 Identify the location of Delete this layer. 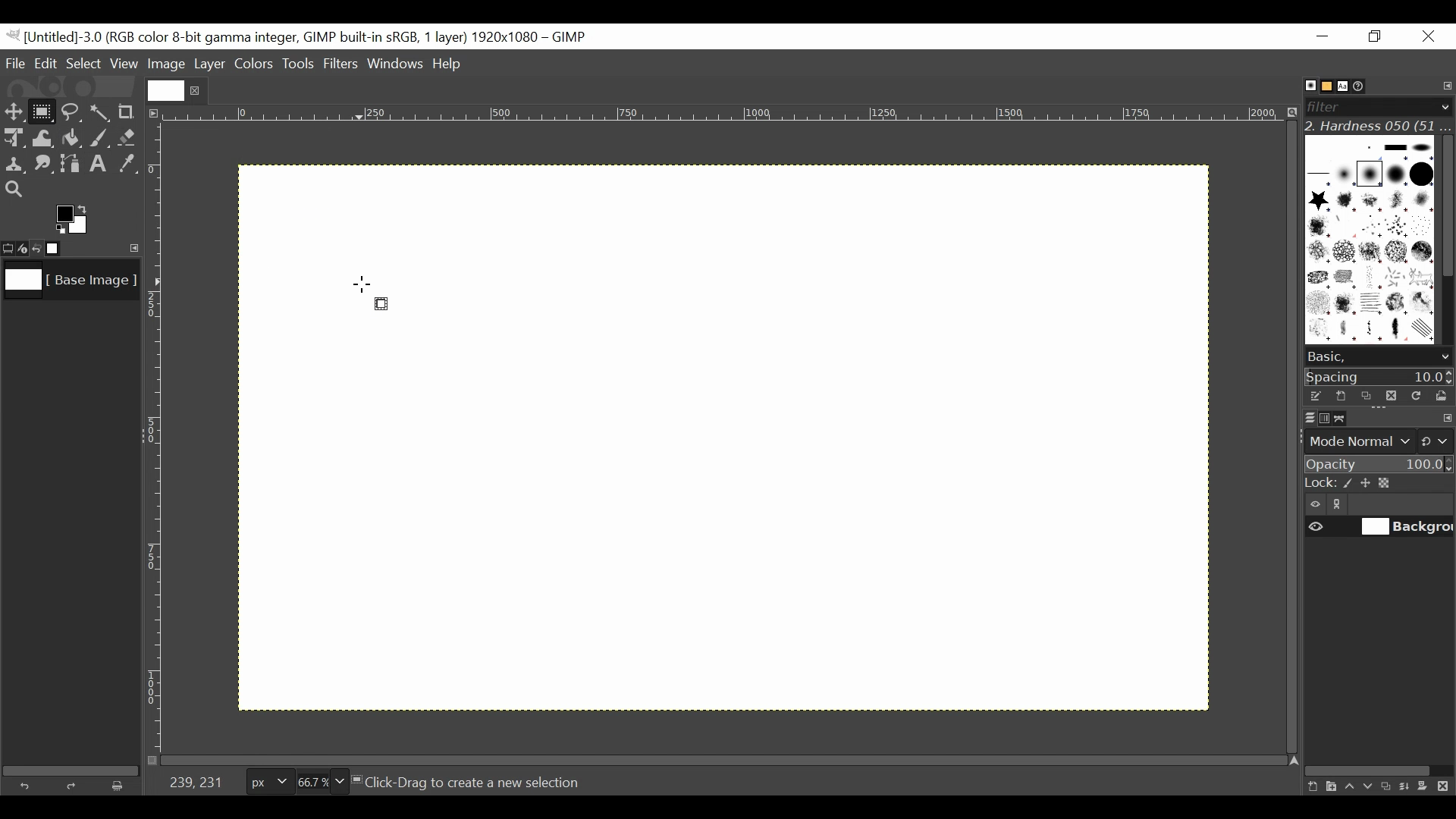
(1446, 787).